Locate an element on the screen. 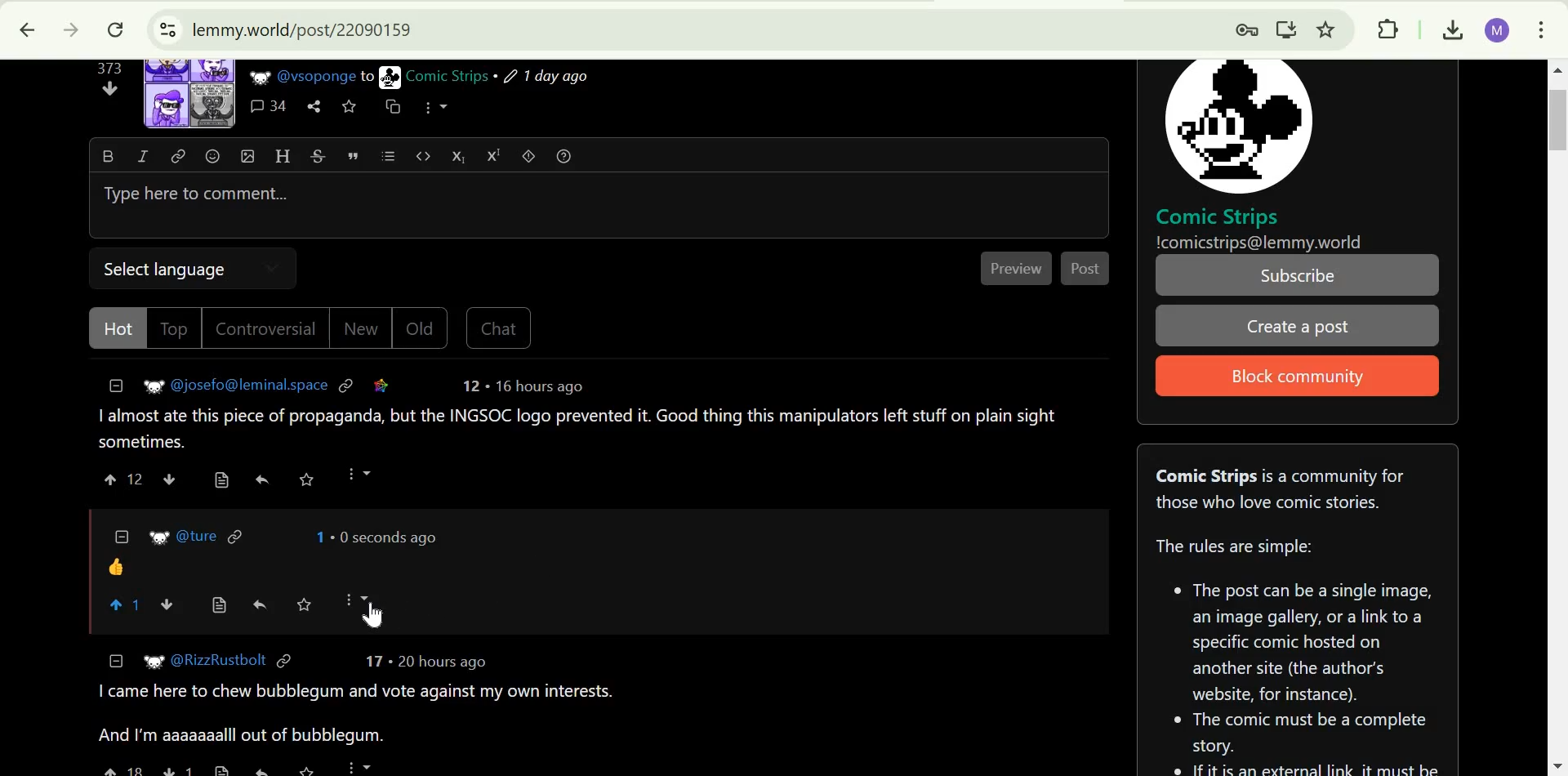  link is located at coordinates (238, 535).